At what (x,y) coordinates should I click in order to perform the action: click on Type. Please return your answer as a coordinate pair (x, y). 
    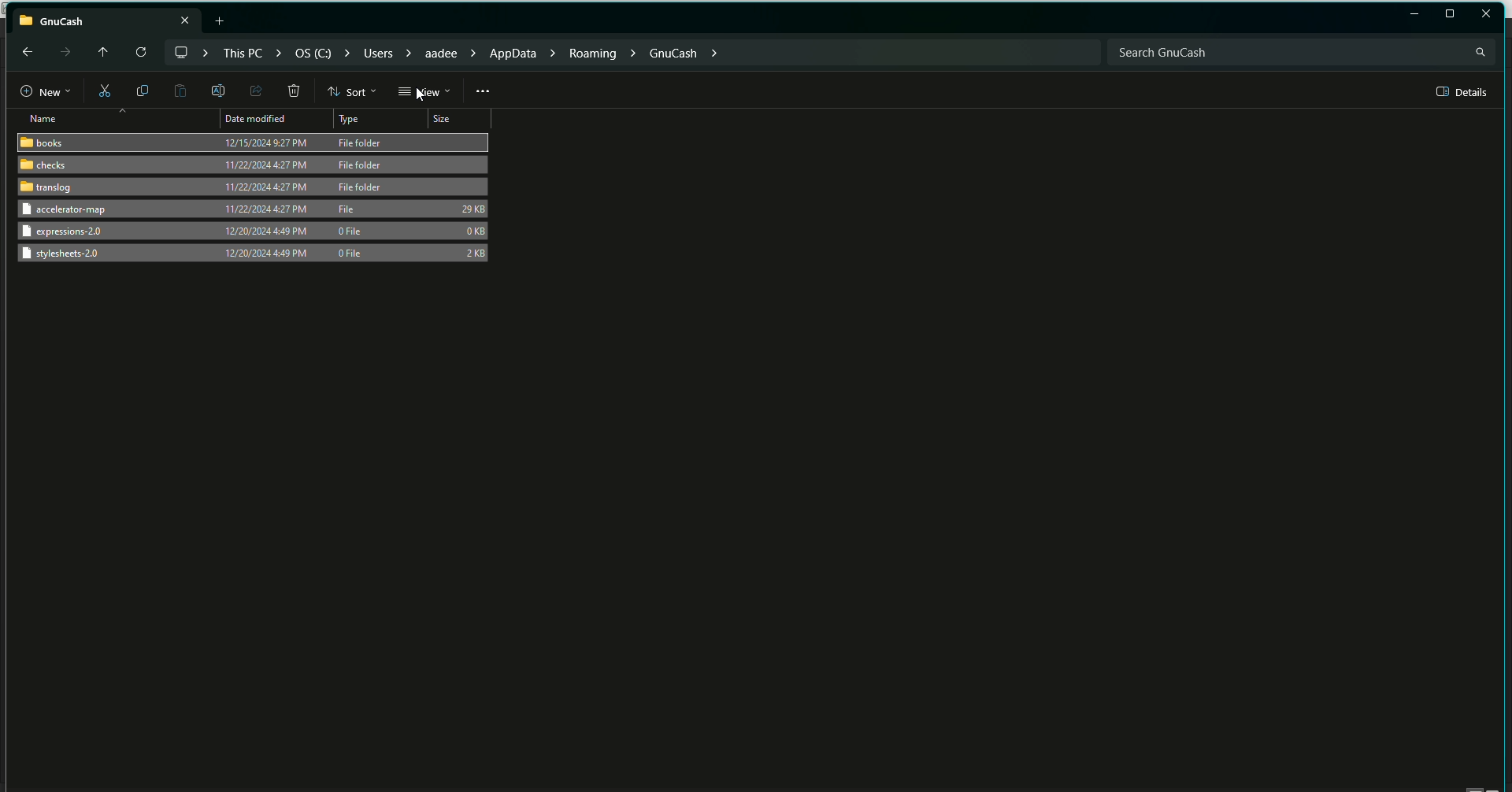
    Looking at the image, I should click on (357, 120).